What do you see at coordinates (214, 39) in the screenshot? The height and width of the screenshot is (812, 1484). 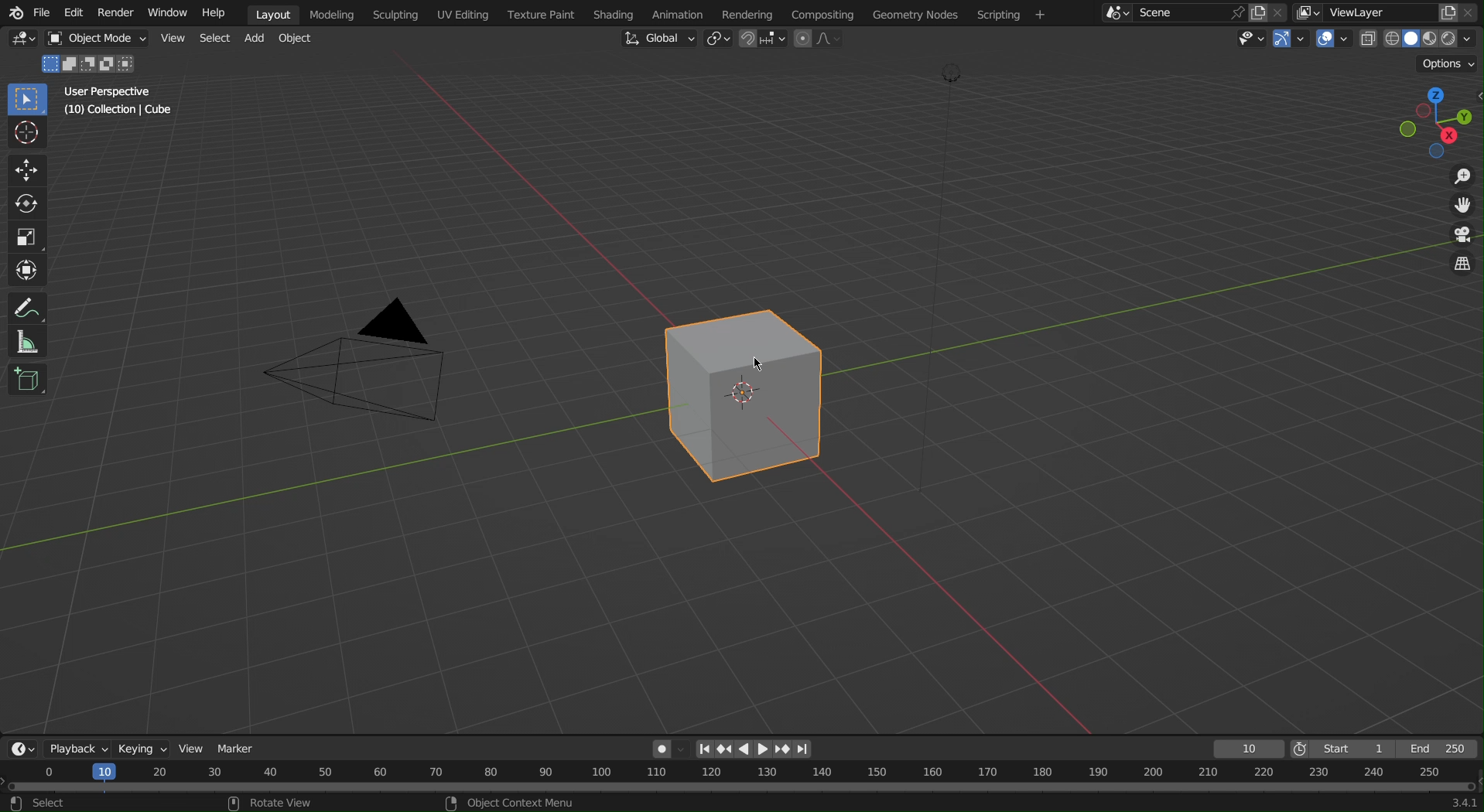 I see `Select` at bounding box center [214, 39].